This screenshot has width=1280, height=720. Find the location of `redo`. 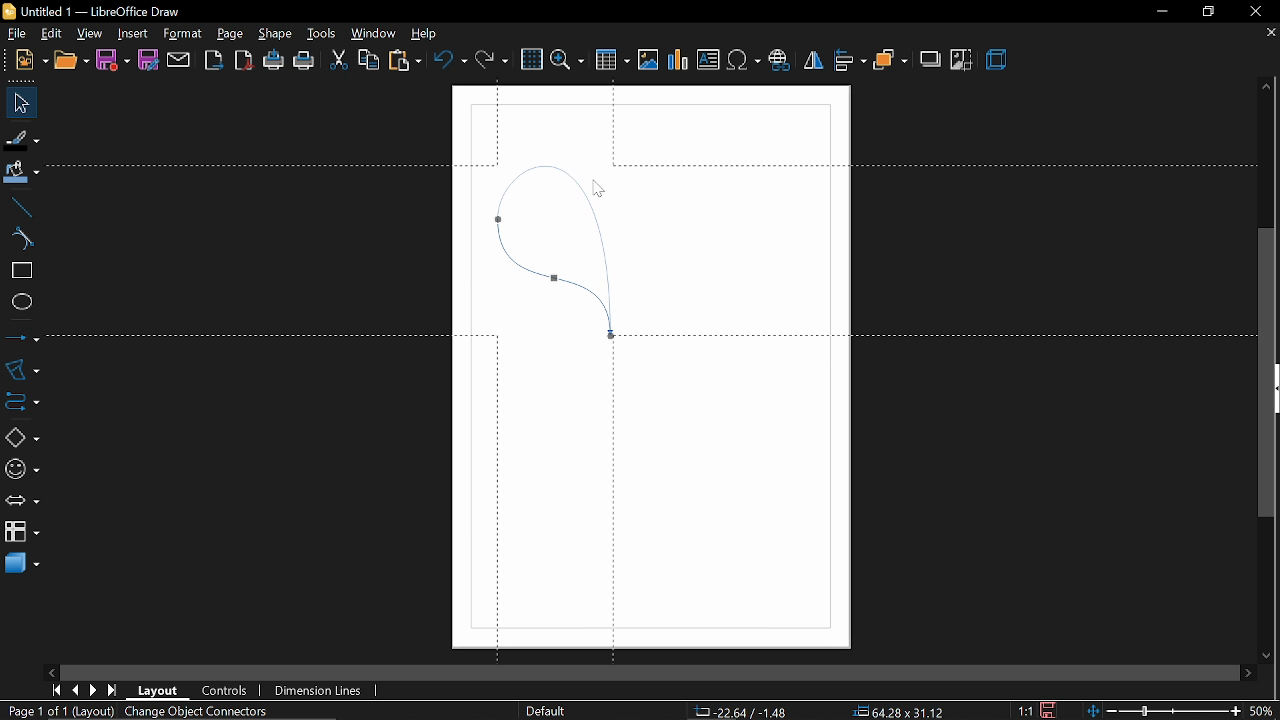

redo is located at coordinates (492, 62).